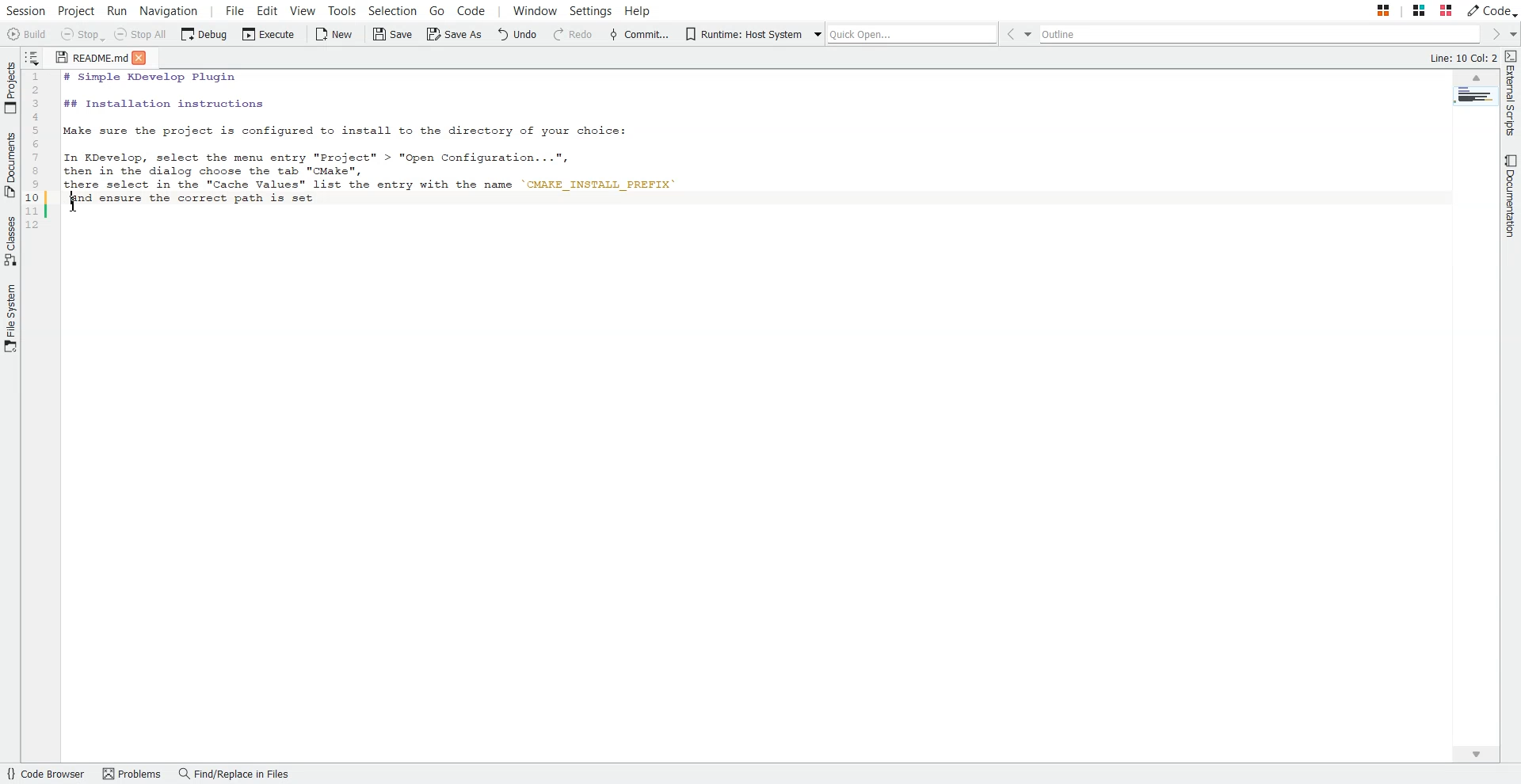 The height and width of the screenshot is (784, 1521). Describe the element at coordinates (1464, 56) in the screenshot. I see `Line: 10 Col: 2` at that location.